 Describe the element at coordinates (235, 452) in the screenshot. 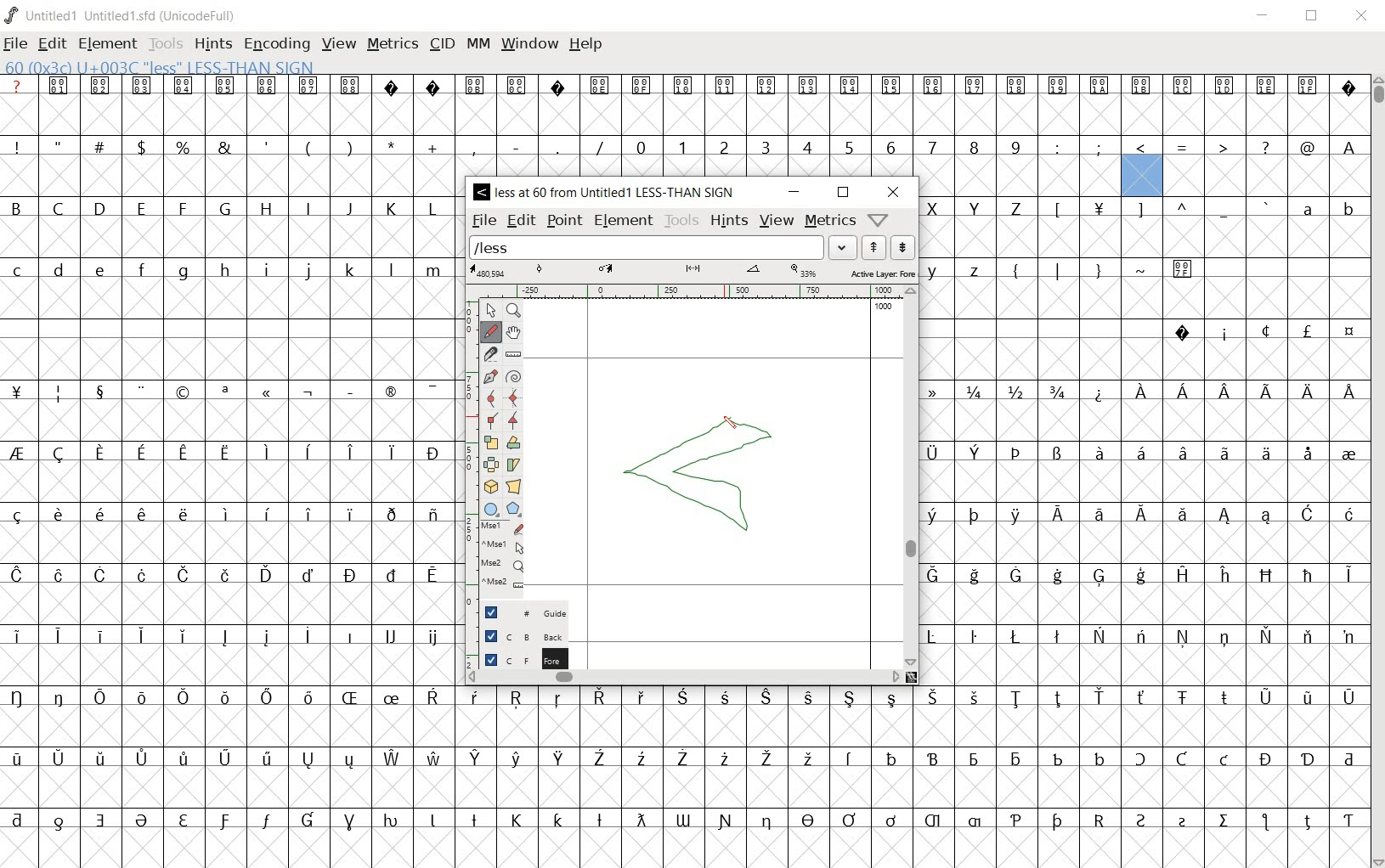

I see `special letters` at that location.